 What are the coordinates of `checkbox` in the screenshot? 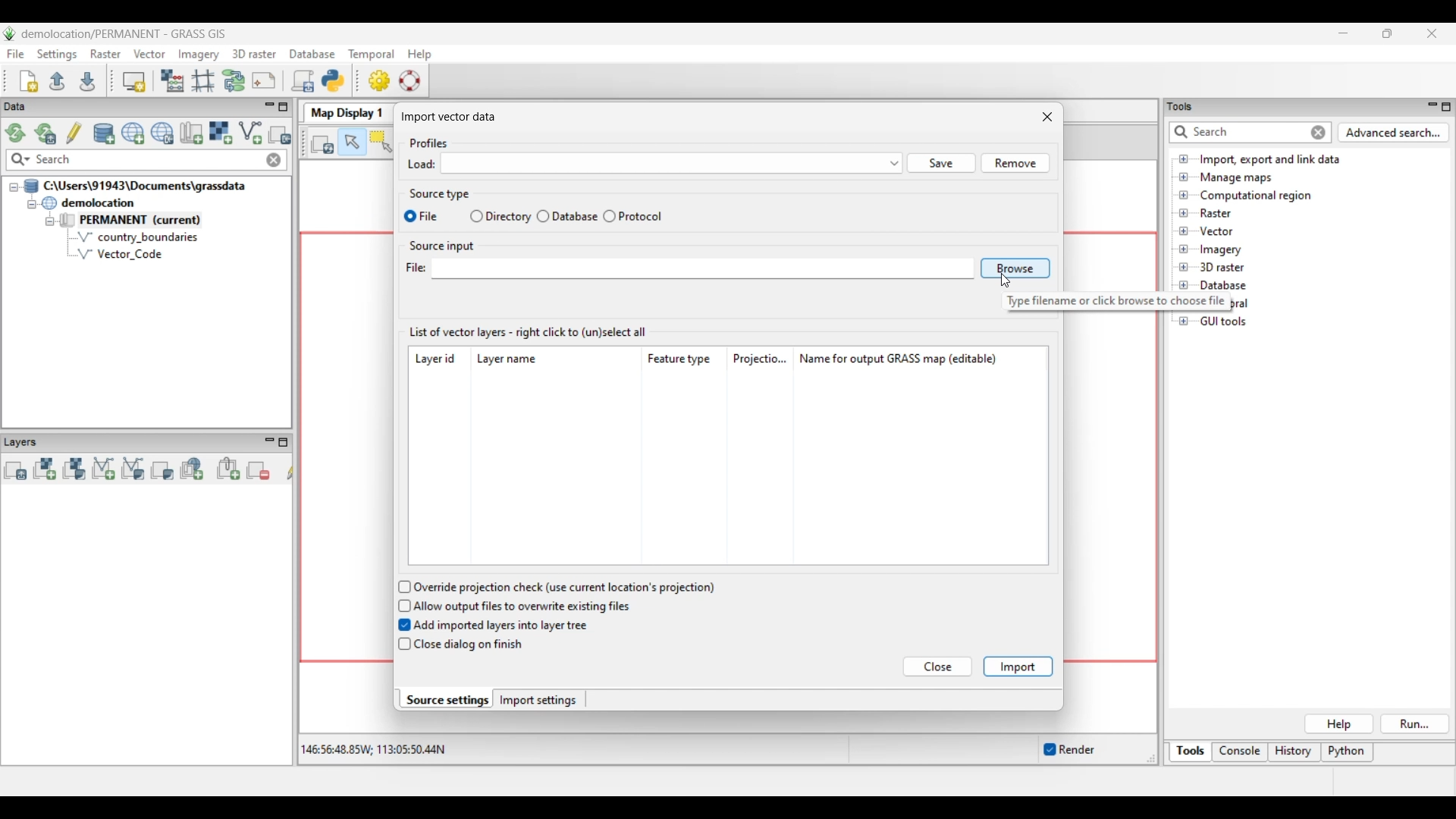 It's located at (401, 605).